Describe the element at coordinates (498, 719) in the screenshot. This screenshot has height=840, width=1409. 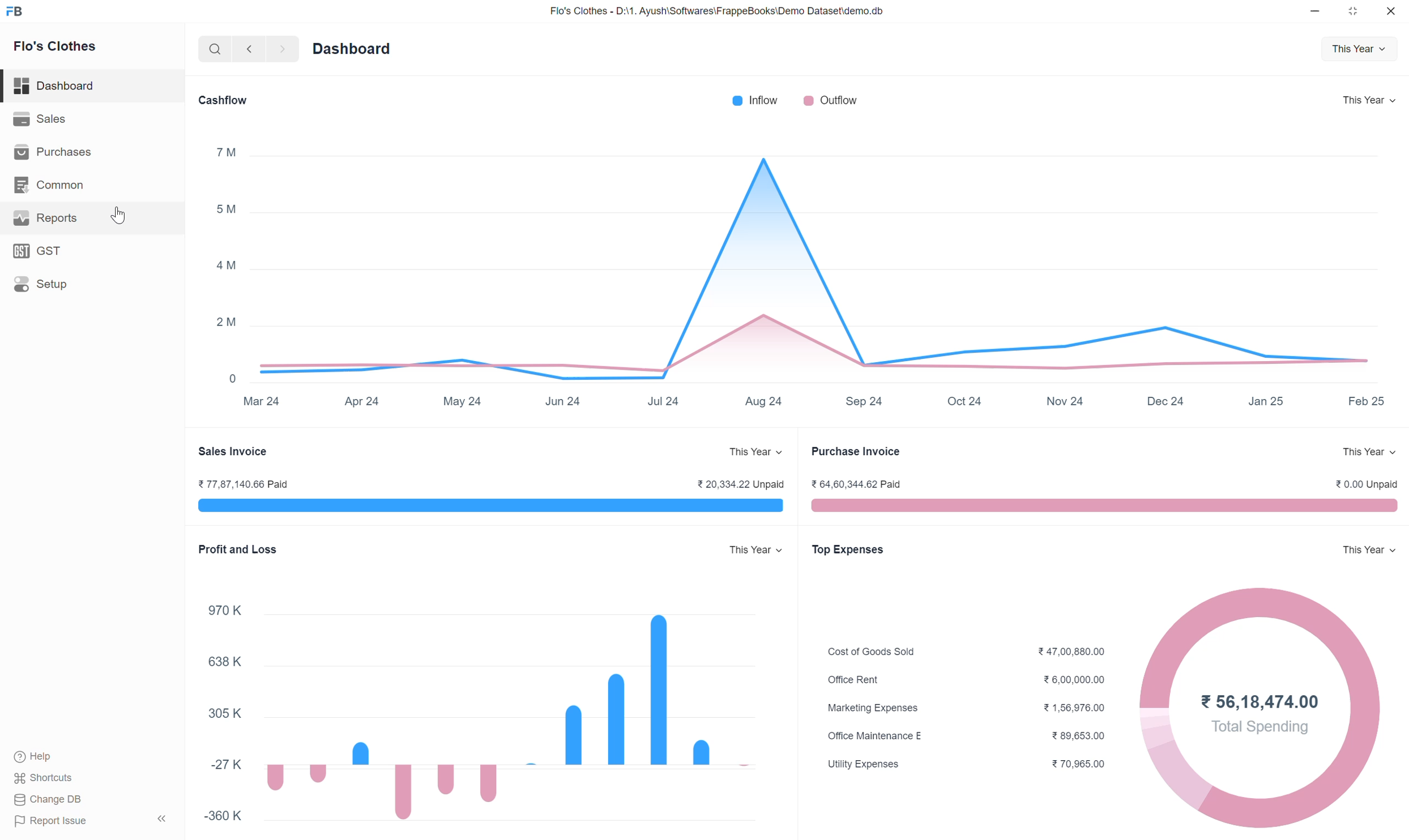
I see `graph` at that location.